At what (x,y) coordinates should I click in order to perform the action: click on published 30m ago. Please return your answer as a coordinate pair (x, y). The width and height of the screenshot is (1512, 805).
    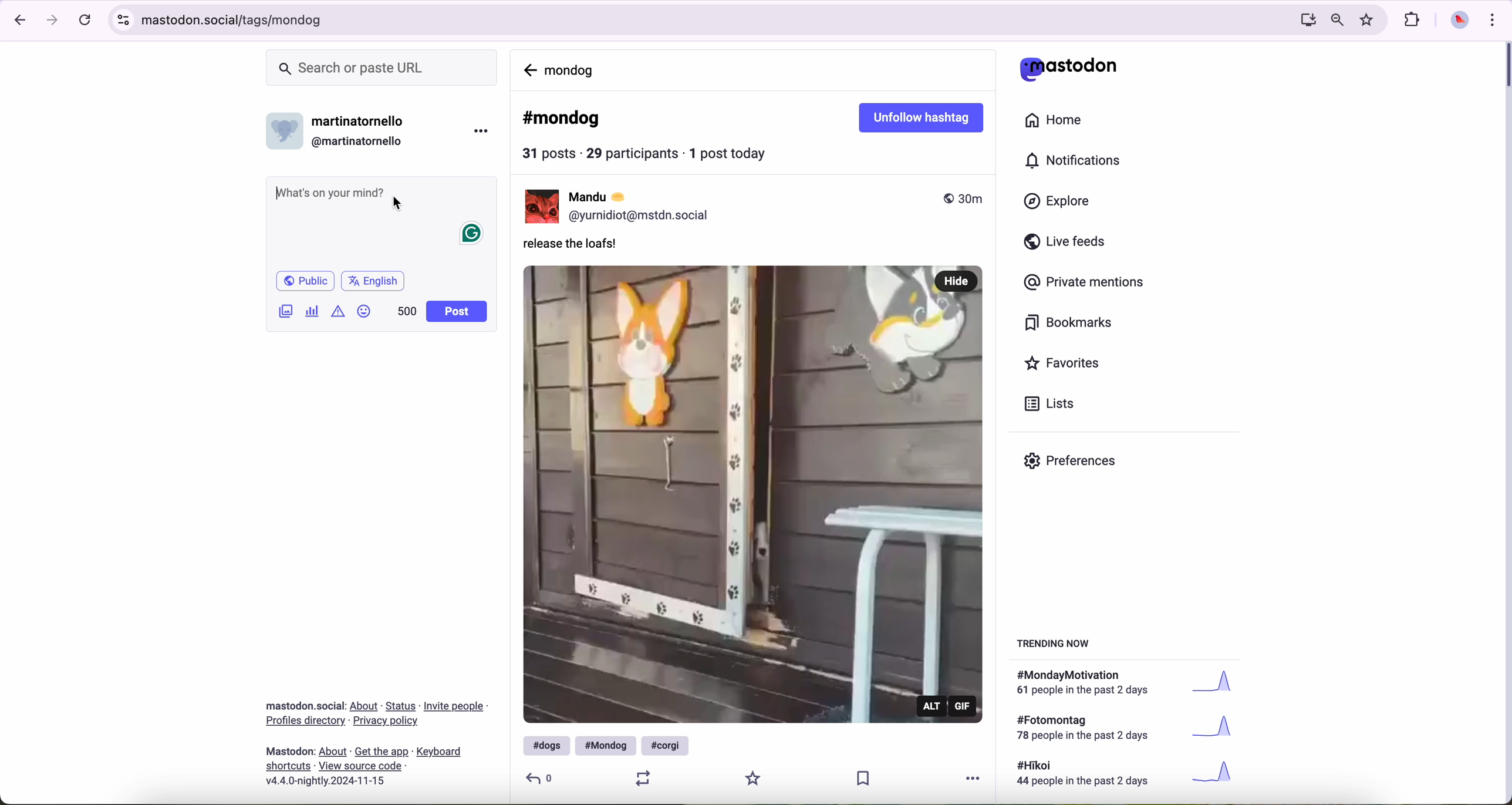
    Looking at the image, I should click on (963, 198).